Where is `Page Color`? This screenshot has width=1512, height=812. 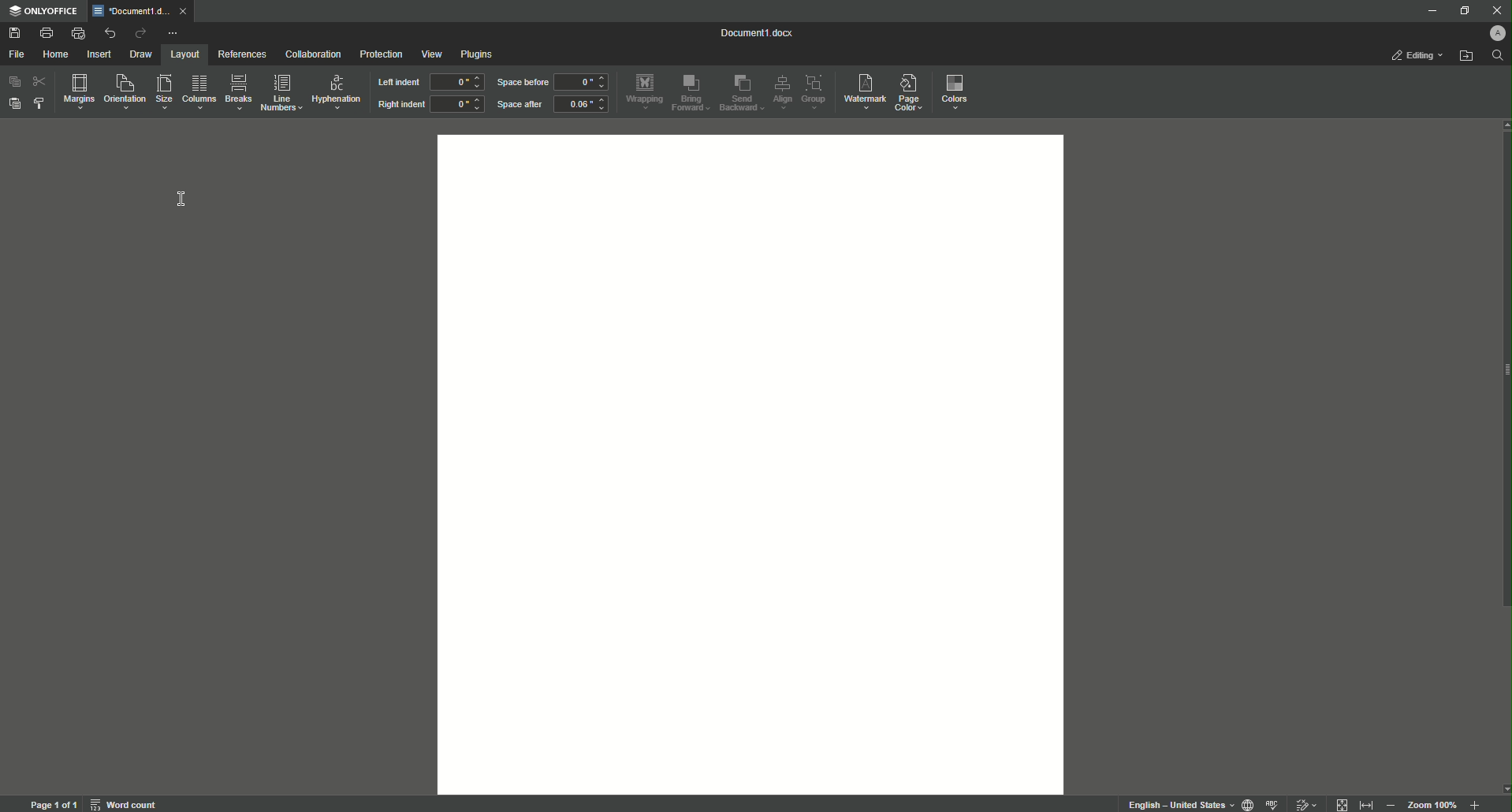 Page Color is located at coordinates (914, 89).